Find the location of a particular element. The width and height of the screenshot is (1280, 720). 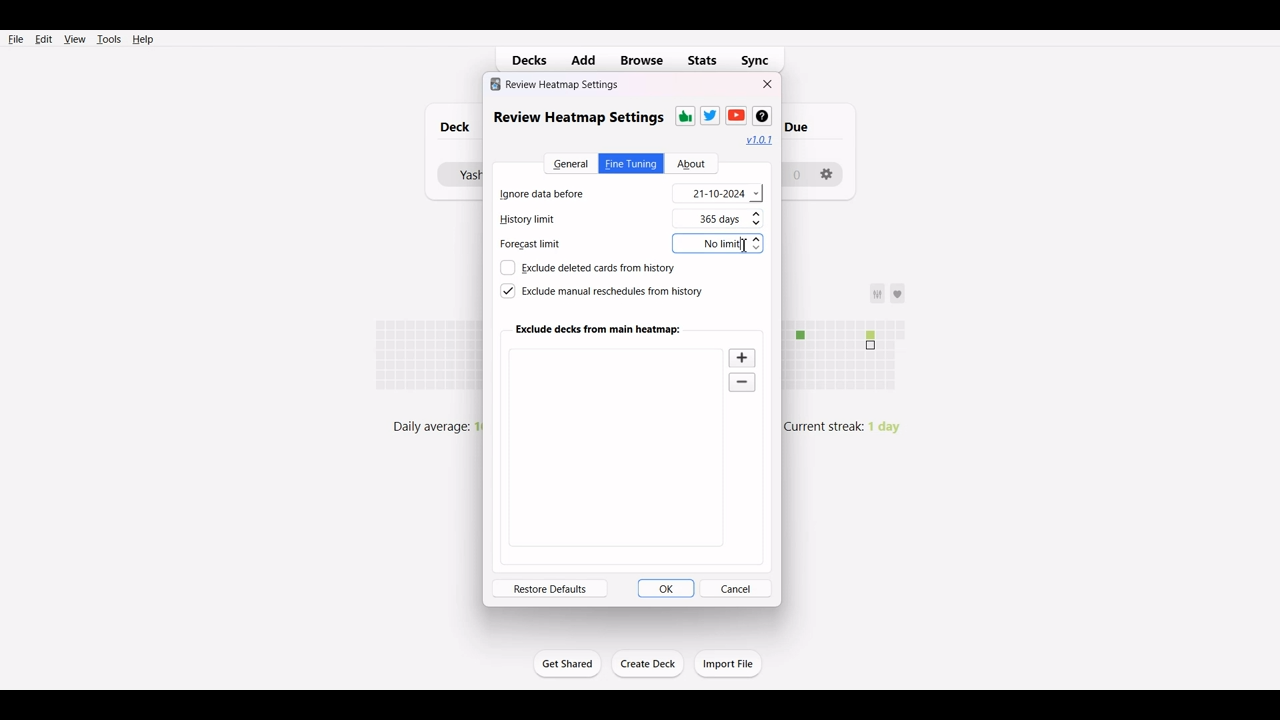

no limit is located at coordinates (717, 244).